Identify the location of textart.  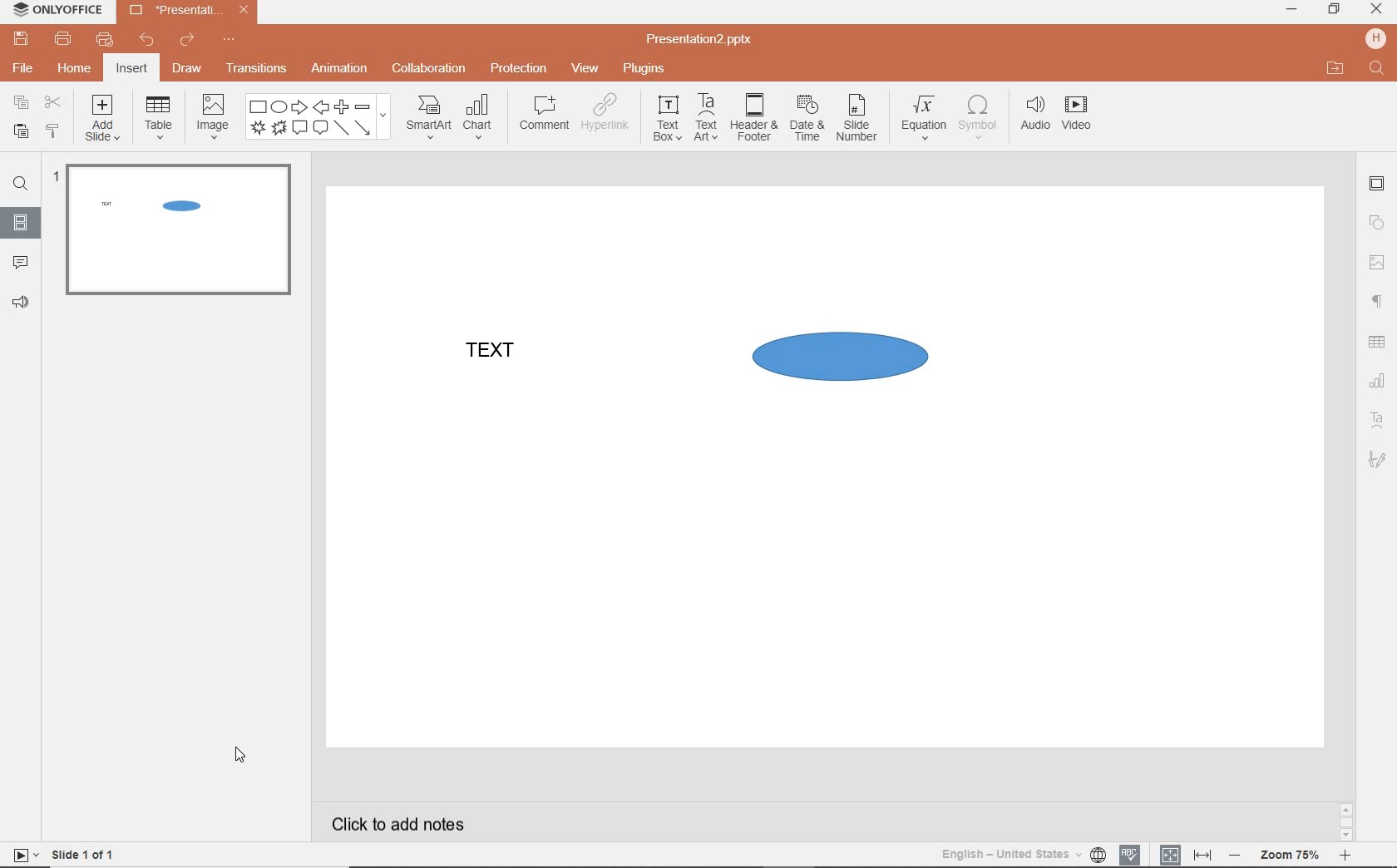
(704, 116).